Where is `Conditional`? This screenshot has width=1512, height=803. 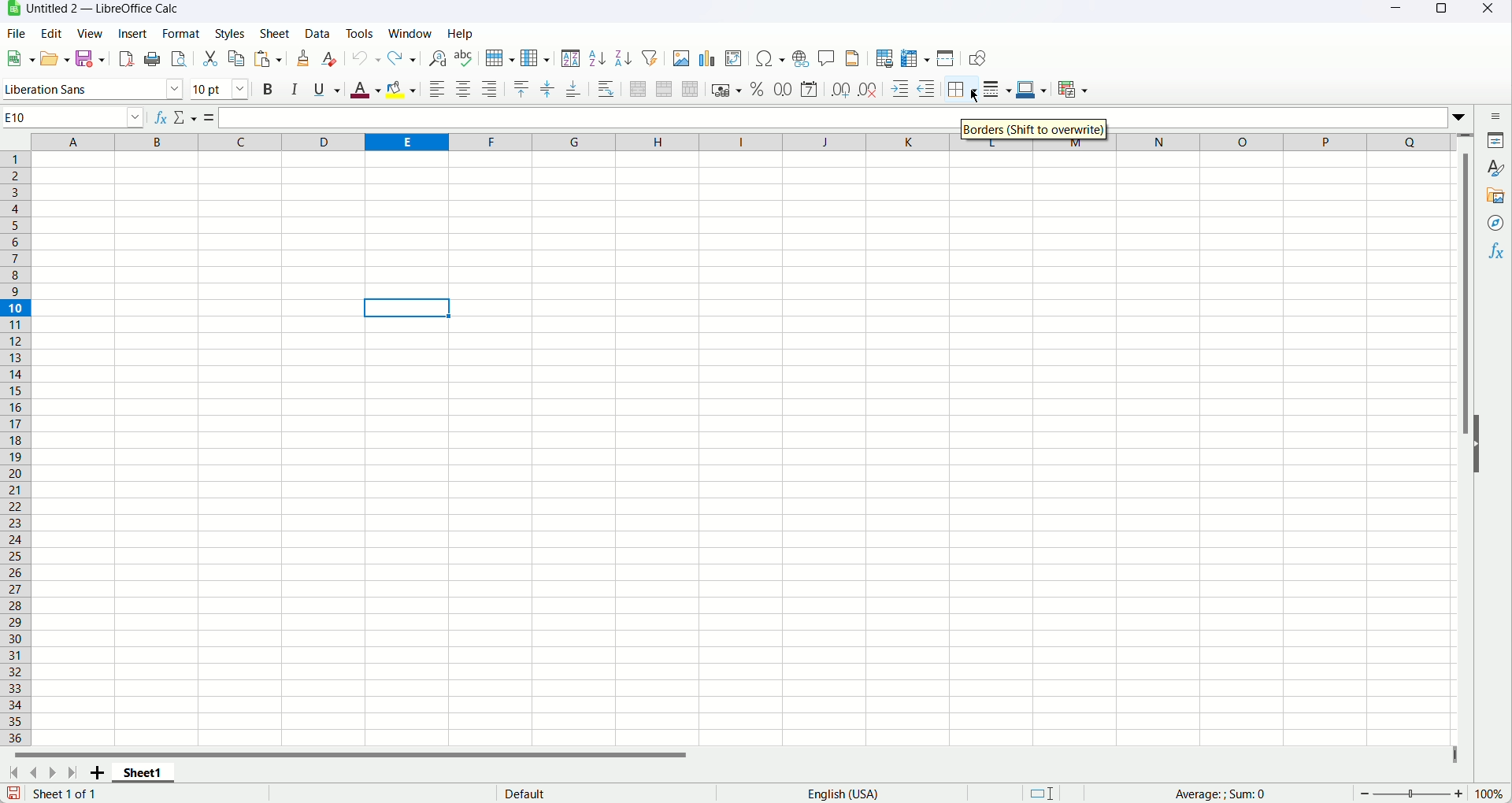
Conditional is located at coordinates (1072, 90).